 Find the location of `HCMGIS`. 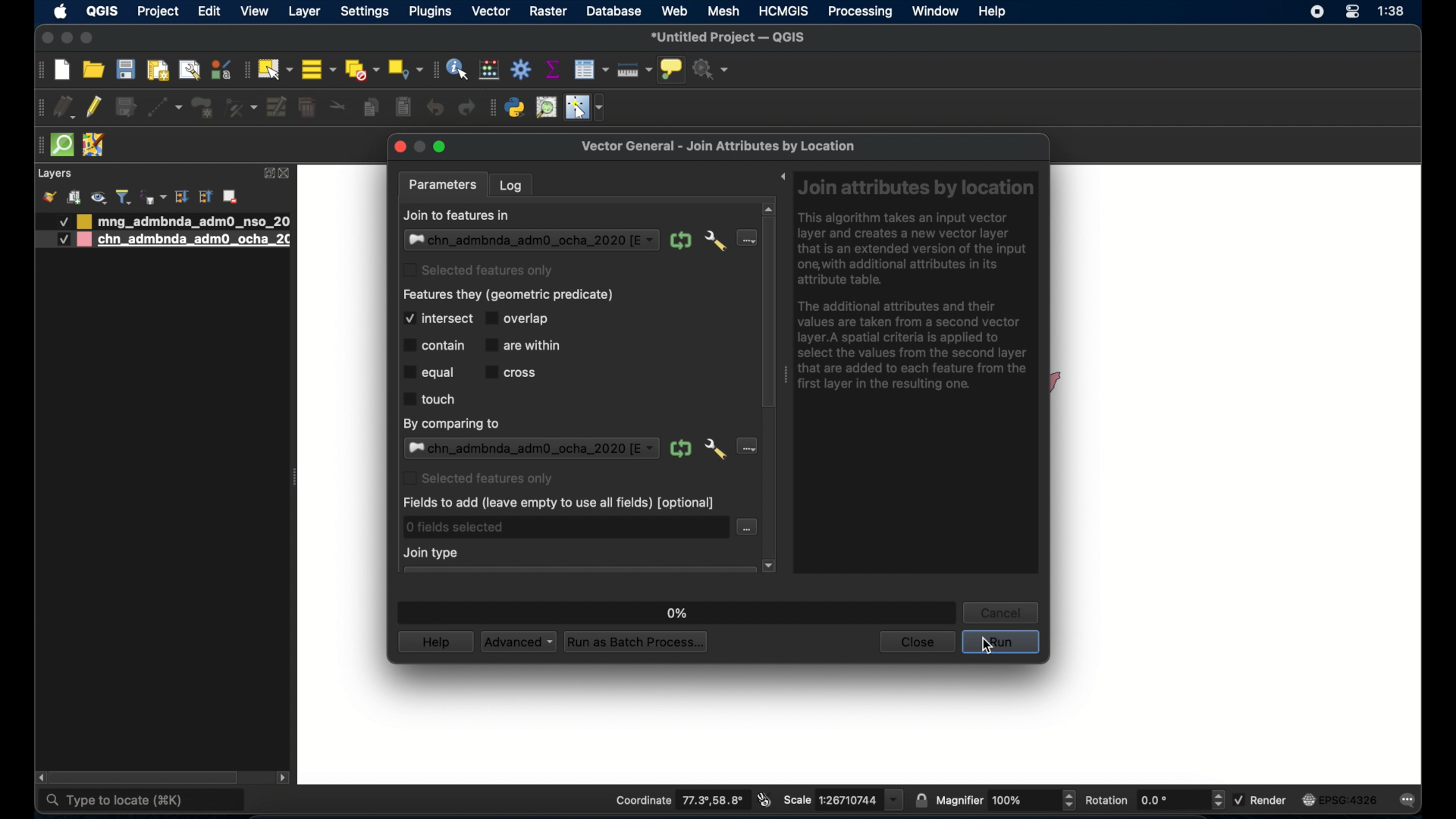

HCMGIS is located at coordinates (783, 11).